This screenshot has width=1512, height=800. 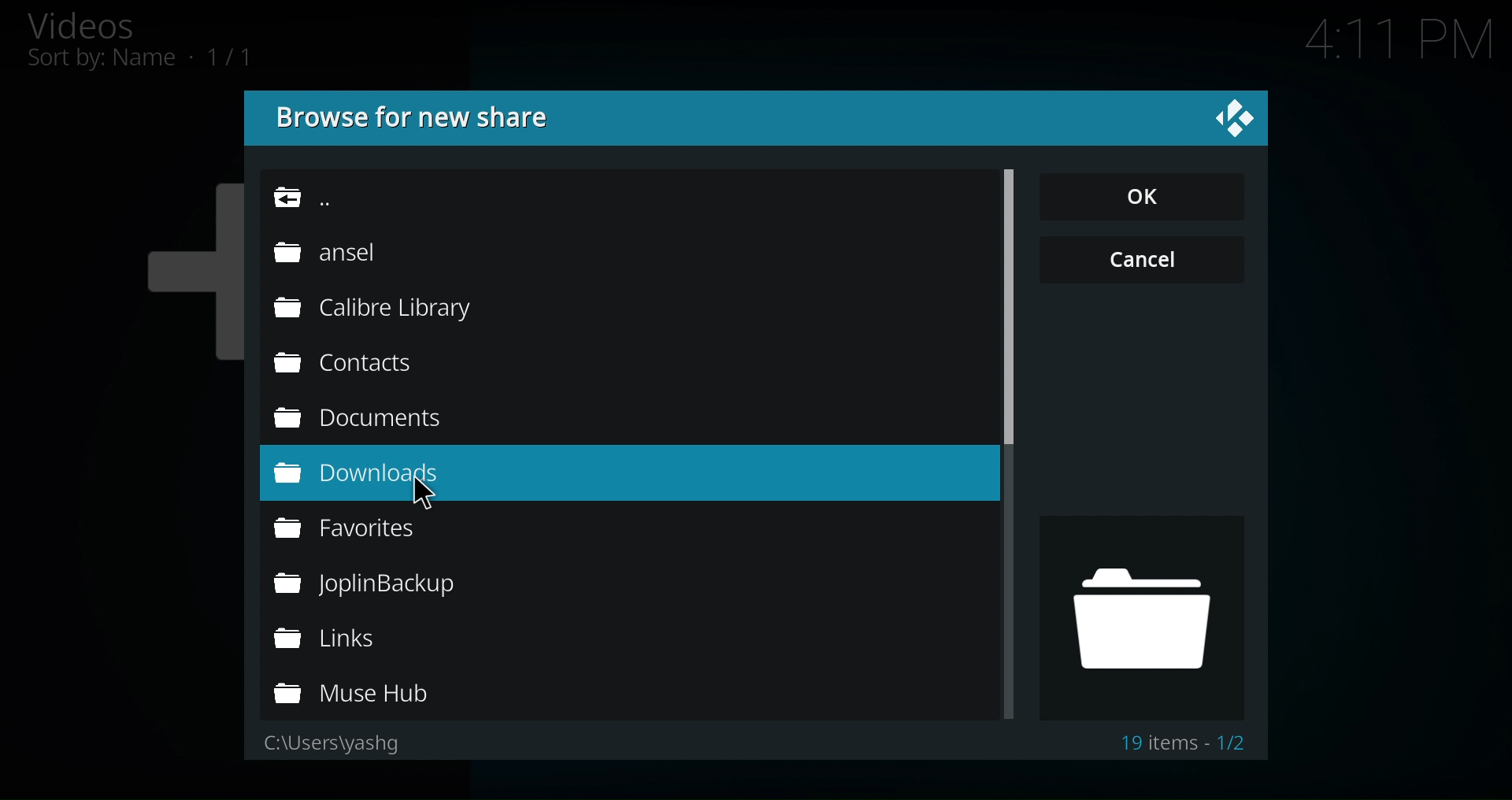 I want to click on C:\Users\yasing, so click(x=330, y=744).